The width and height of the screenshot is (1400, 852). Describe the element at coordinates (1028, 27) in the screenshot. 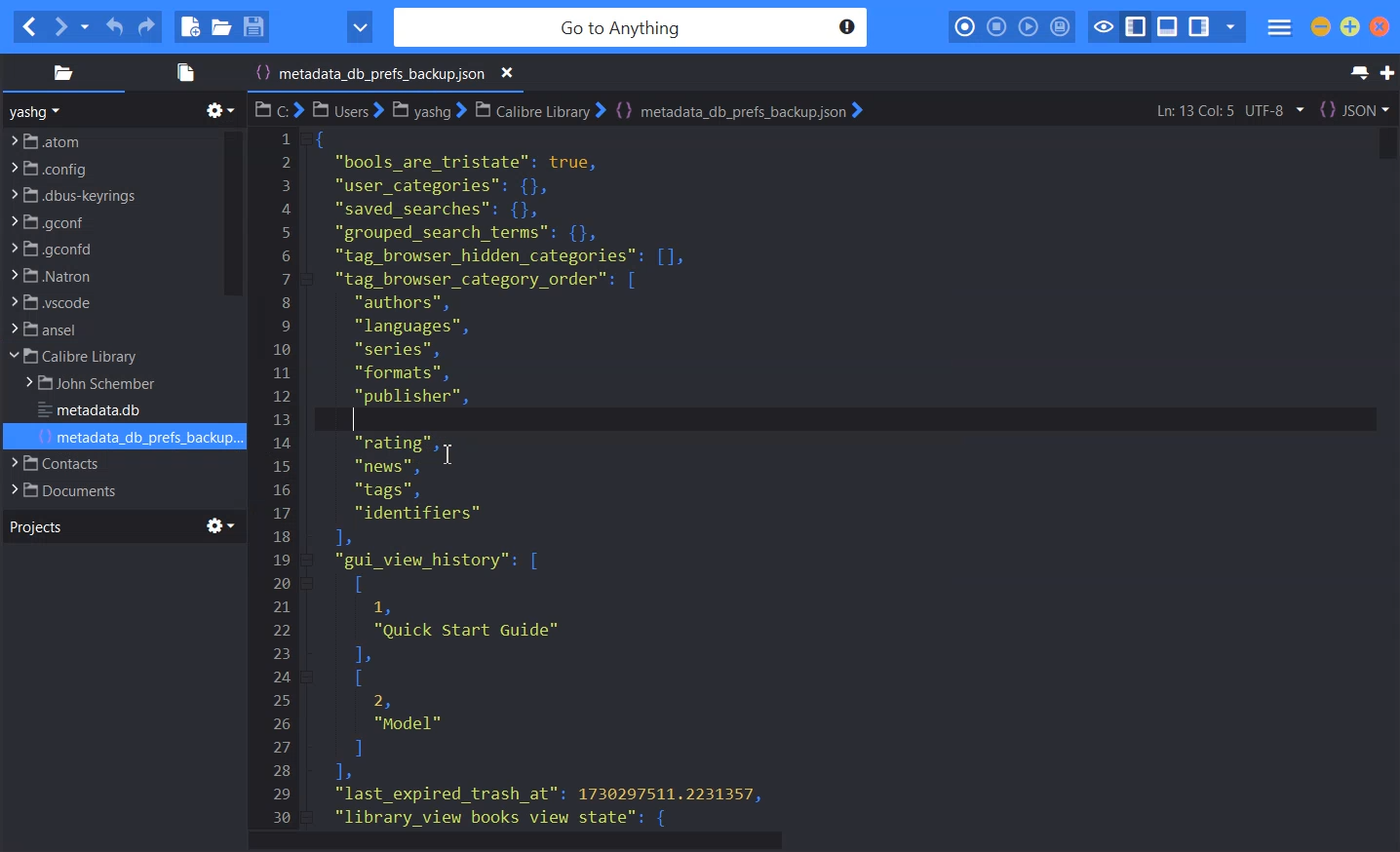

I see `Play last macro` at that location.